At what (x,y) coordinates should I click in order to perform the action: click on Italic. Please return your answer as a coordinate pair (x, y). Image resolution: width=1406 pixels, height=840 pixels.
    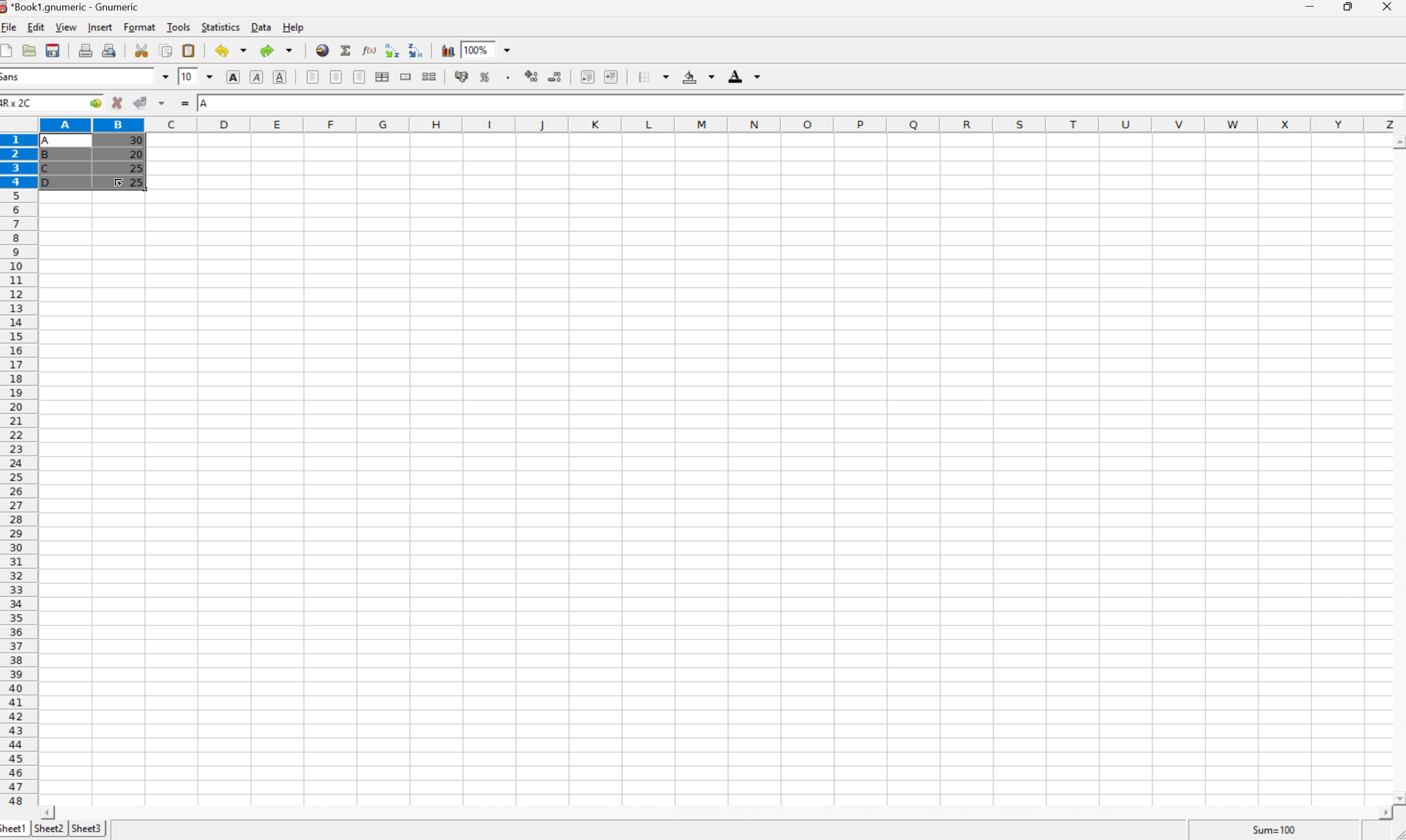
    Looking at the image, I should click on (257, 76).